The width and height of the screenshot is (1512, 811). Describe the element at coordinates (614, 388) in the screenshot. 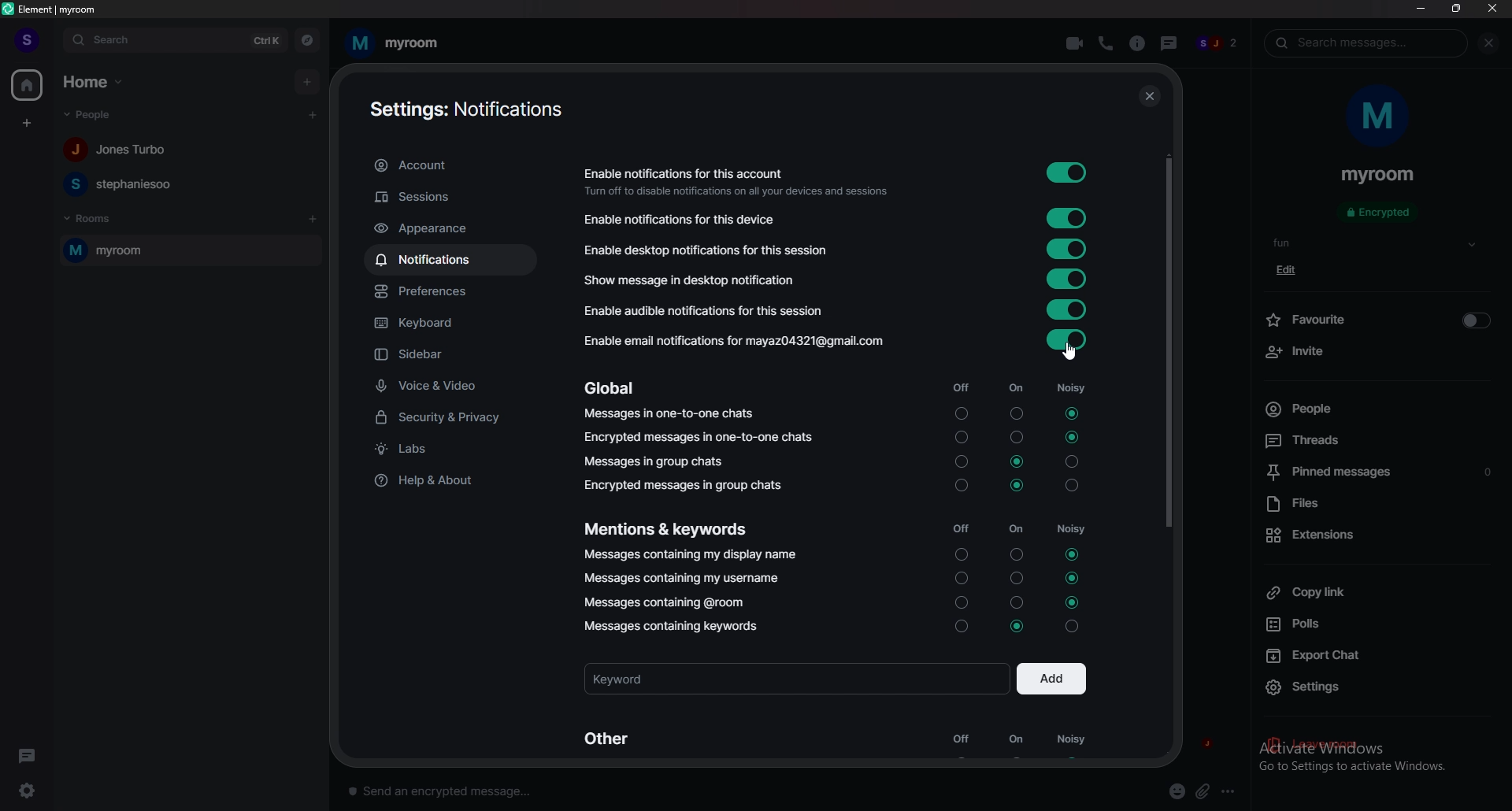

I see `global` at that location.